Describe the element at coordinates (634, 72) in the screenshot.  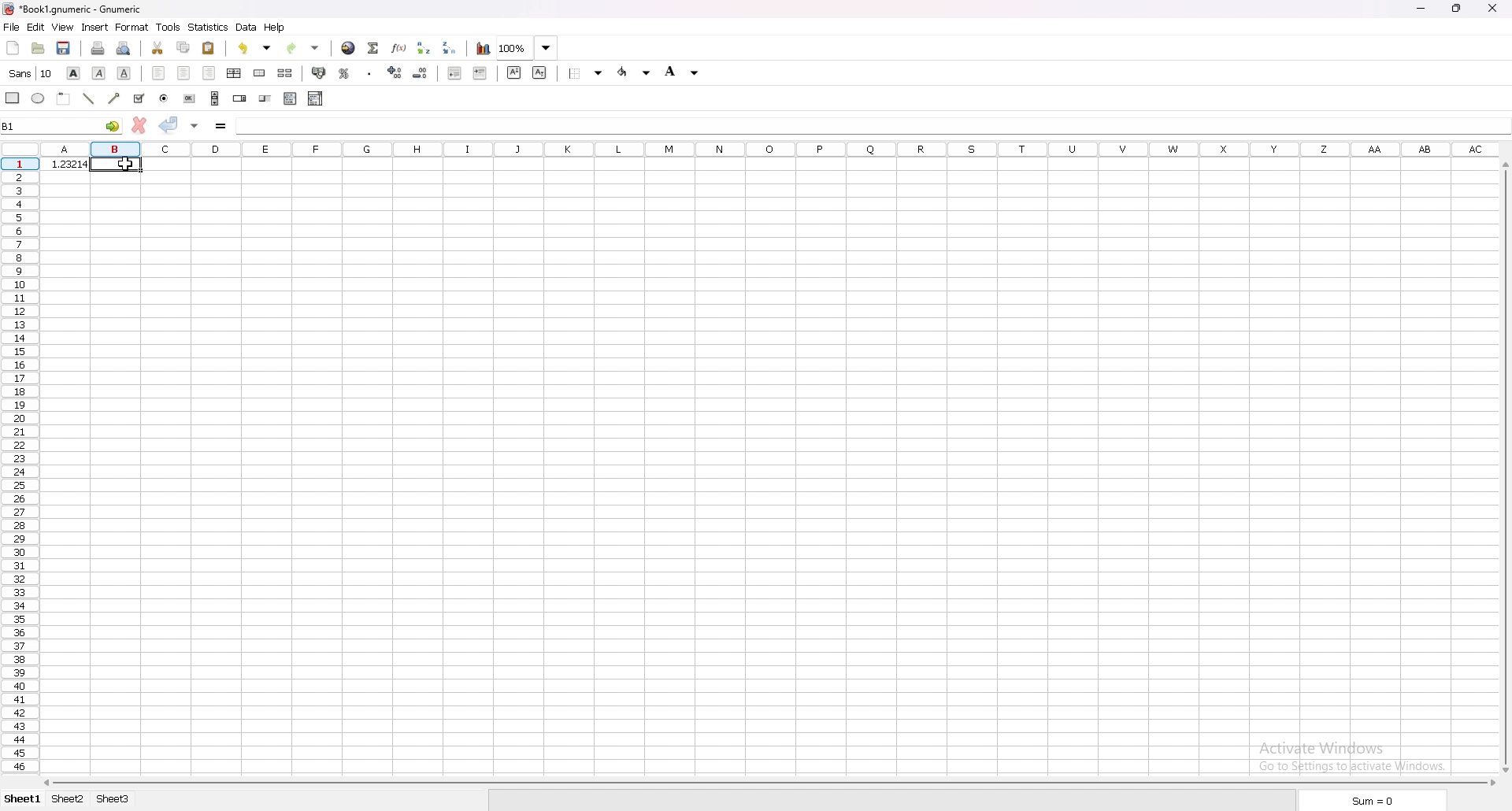
I see `foreground` at that location.